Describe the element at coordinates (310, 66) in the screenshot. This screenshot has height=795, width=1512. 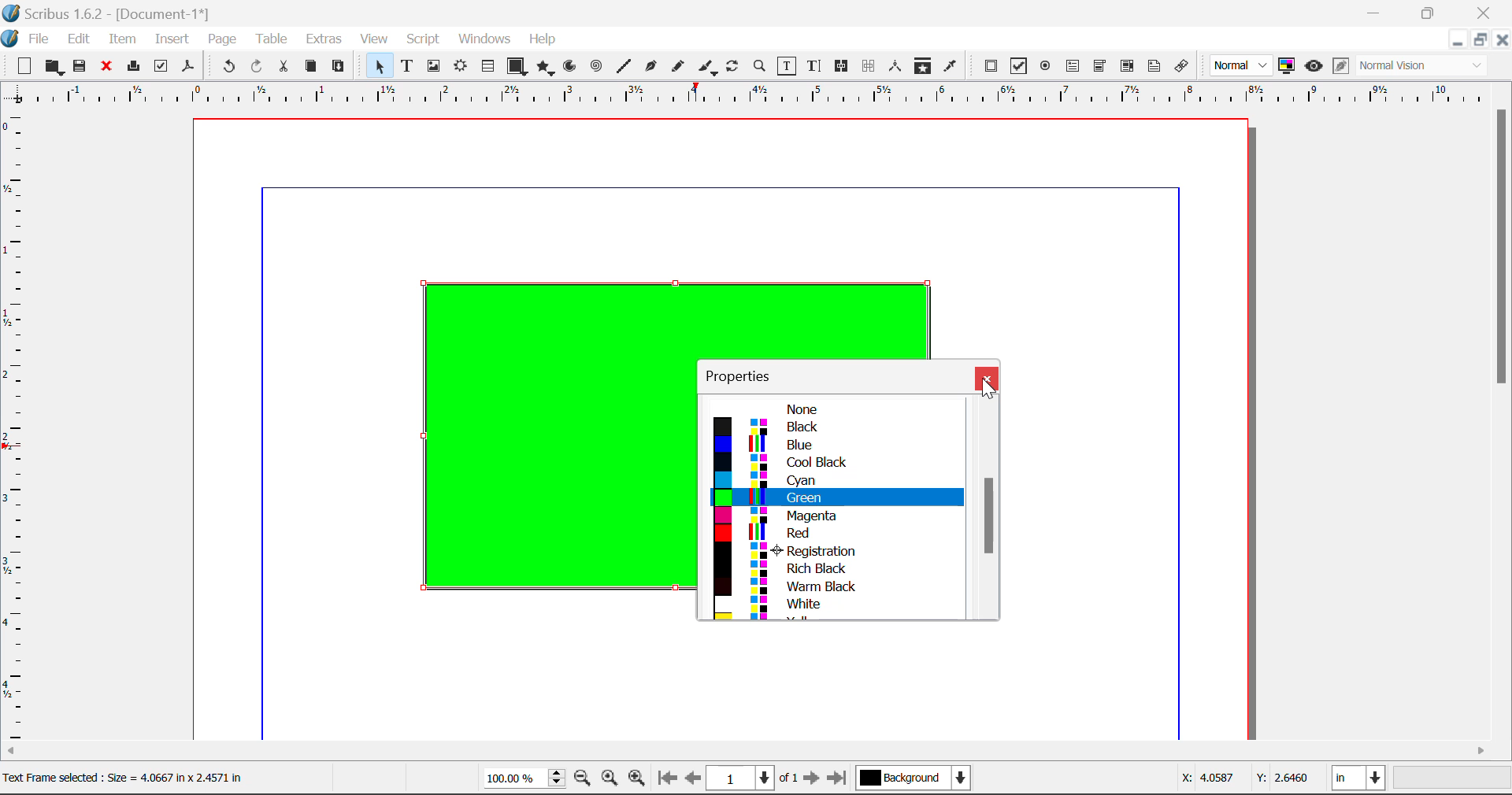
I see `Copy` at that location.